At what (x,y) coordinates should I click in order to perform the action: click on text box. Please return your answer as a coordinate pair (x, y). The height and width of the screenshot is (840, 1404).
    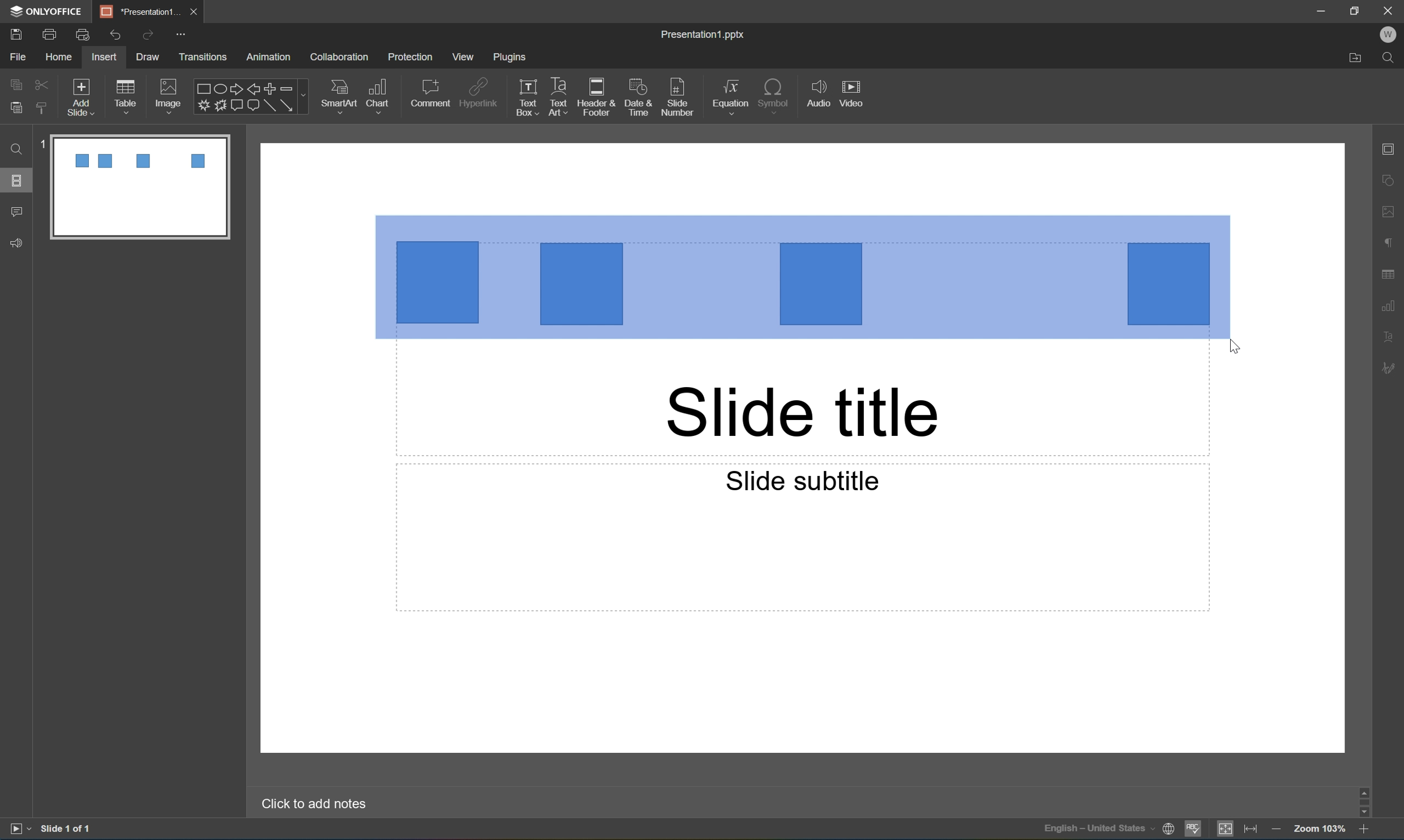
    Looking at the image, I should click on (524, 98).